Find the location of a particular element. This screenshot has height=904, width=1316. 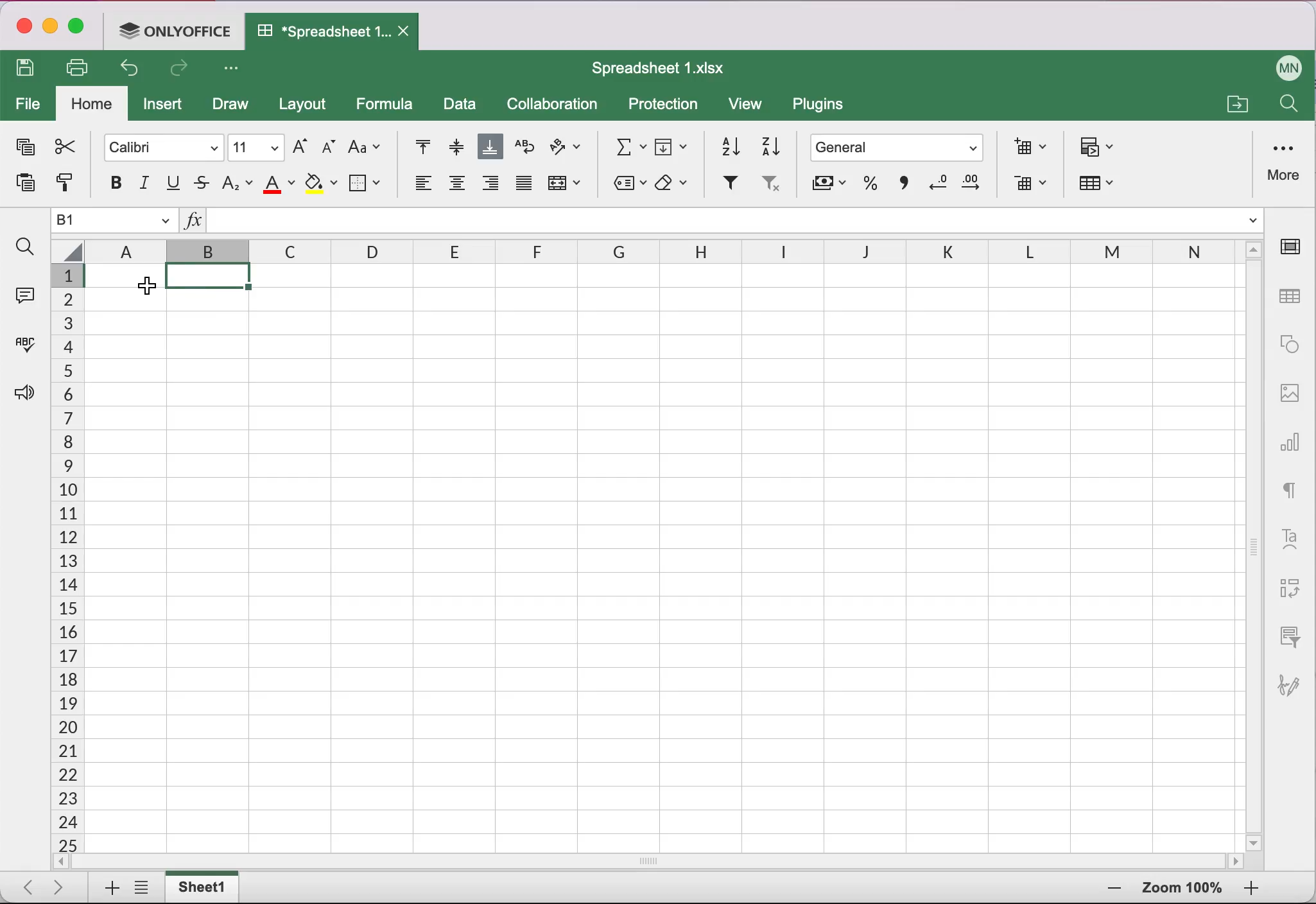

signature is located at coordinates (1295, 679).